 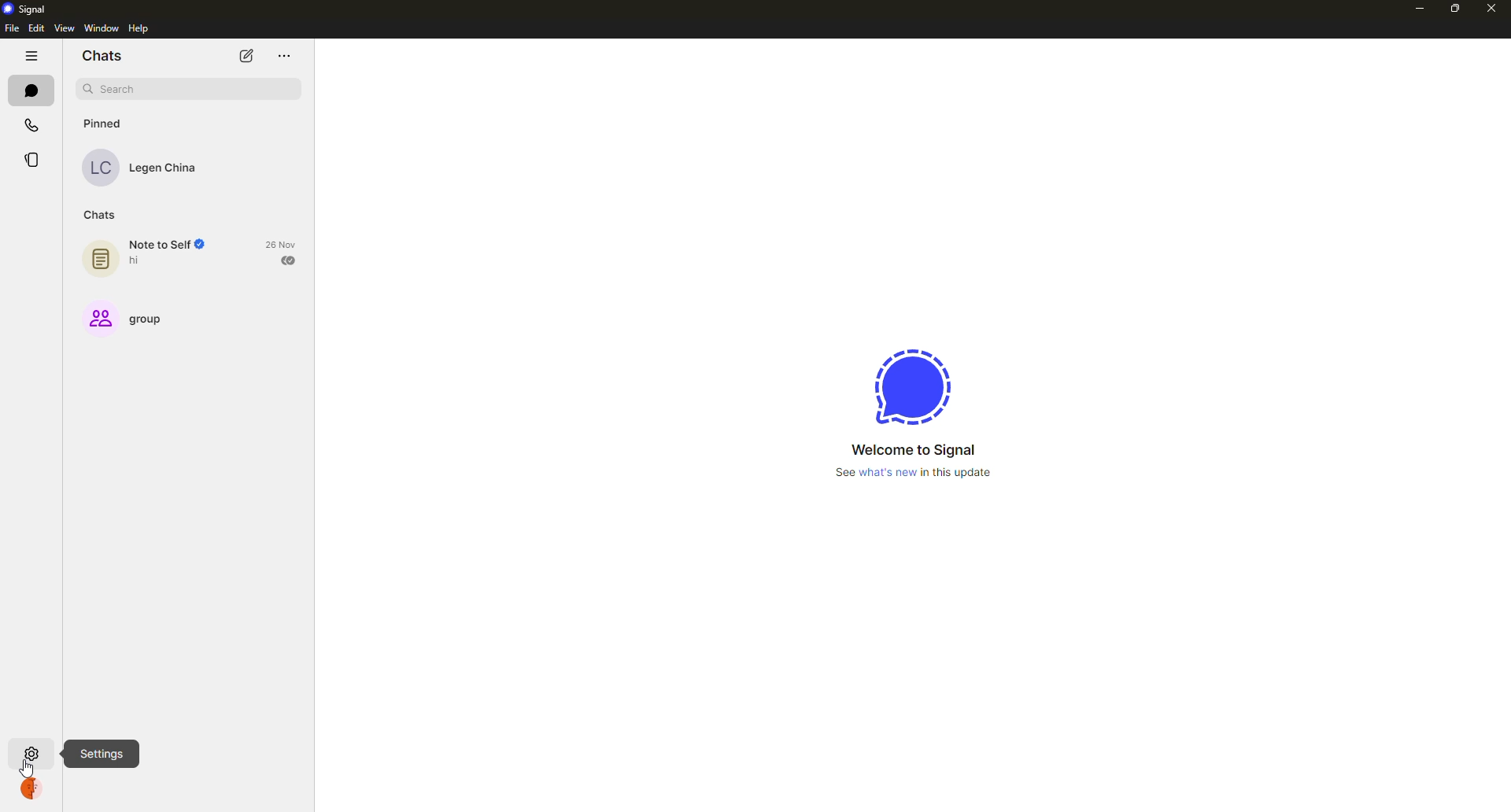 I want to click on maximize, so click(x=1455, y=7).